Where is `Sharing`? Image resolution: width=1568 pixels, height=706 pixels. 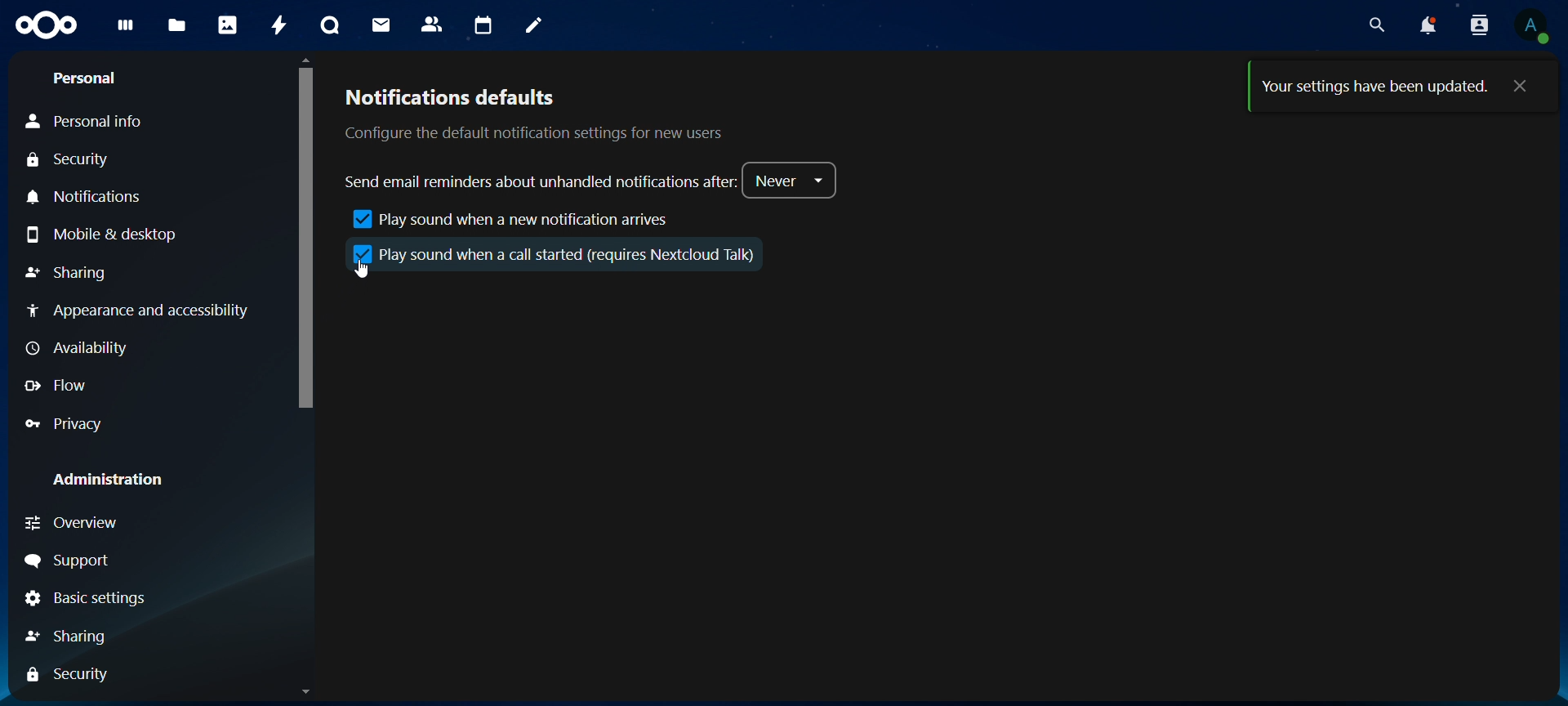 Sharing is located at coordinates (66, 637).